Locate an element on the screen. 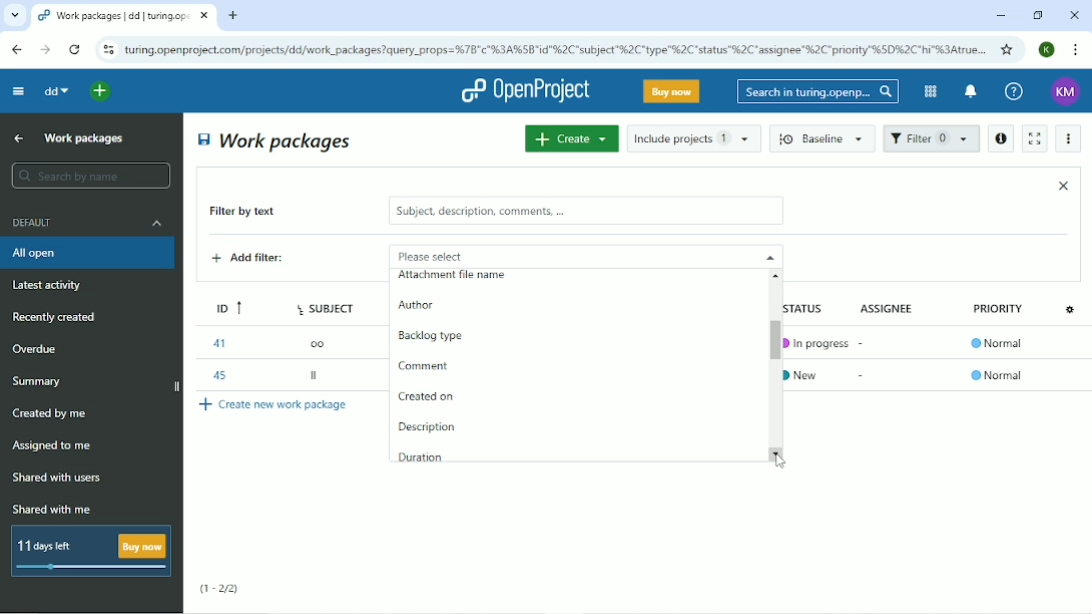  All open is located at coordinates (90, 253).